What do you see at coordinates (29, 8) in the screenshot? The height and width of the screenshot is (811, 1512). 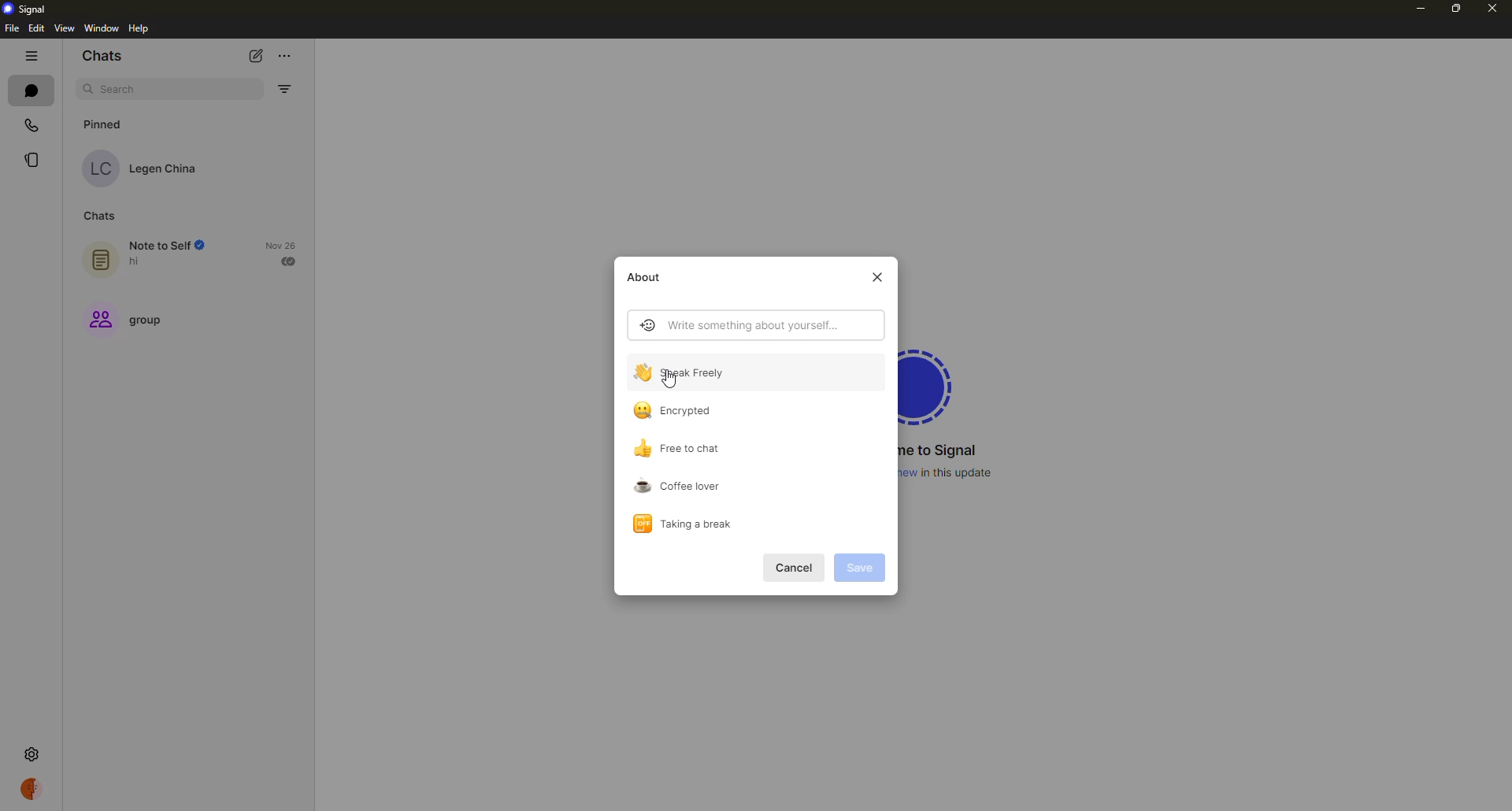 I see `signal` at bounding box center [29, 8].